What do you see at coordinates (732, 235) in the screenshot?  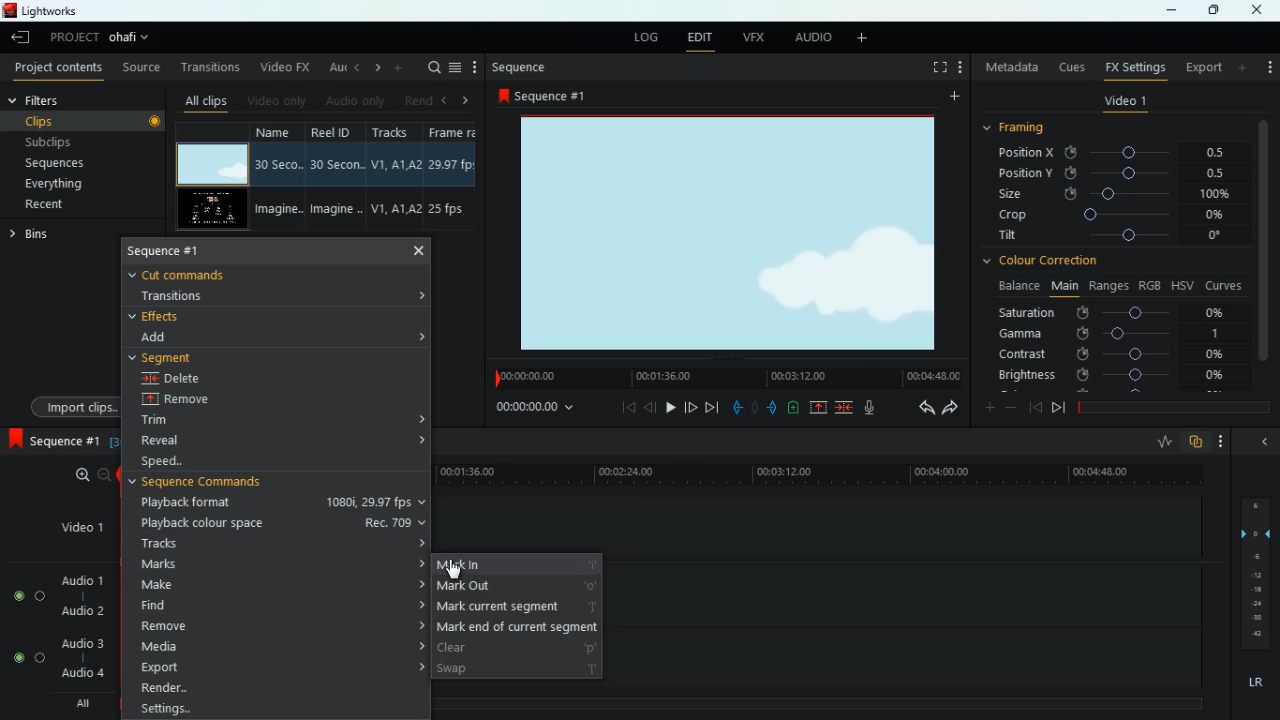 I see `screen` at bounding box center [732, 235].